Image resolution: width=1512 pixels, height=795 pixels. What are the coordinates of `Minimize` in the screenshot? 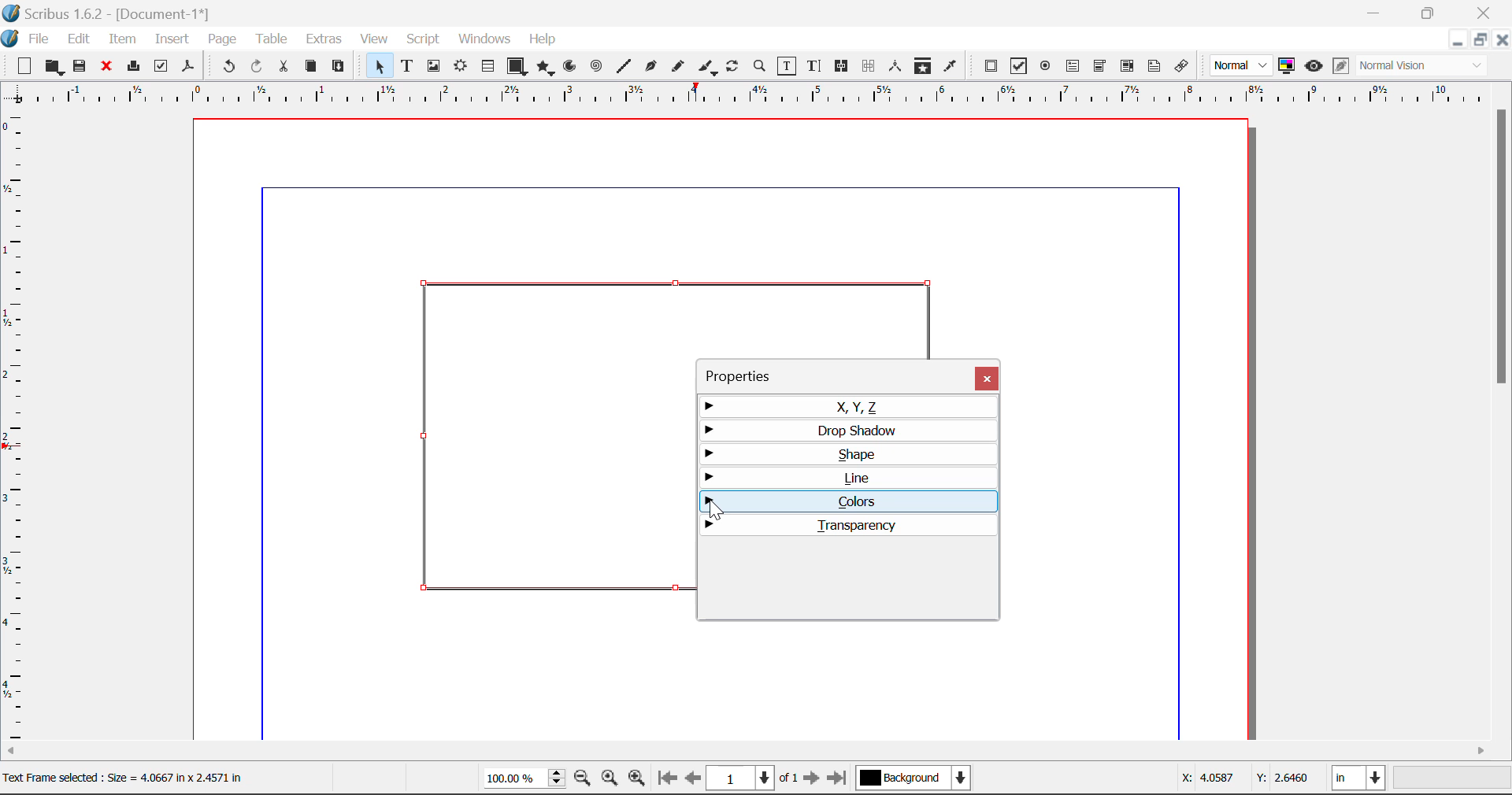 It's located at (1431, 12).